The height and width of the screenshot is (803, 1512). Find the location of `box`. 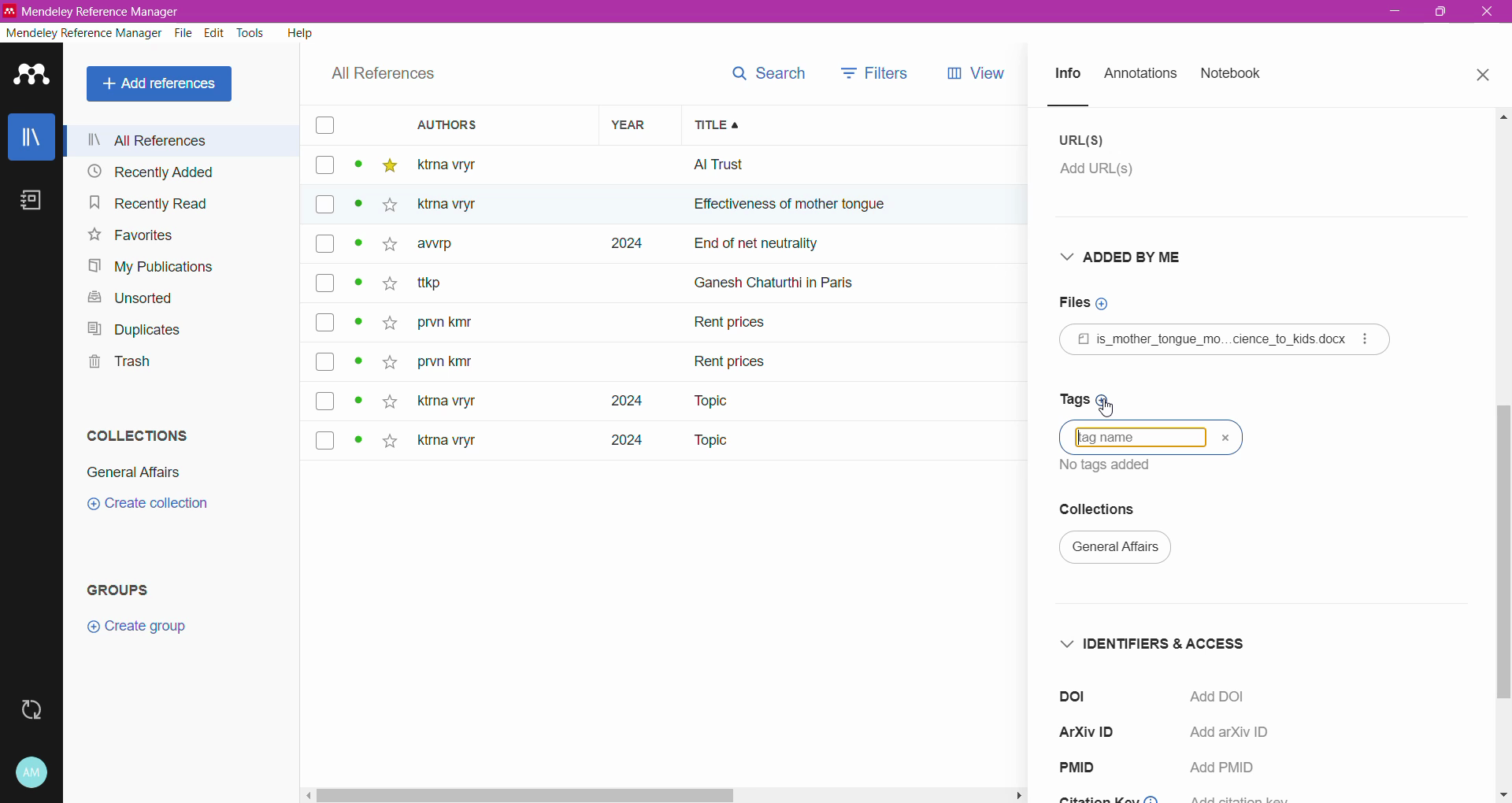

box is located at coordinates (326, 363).